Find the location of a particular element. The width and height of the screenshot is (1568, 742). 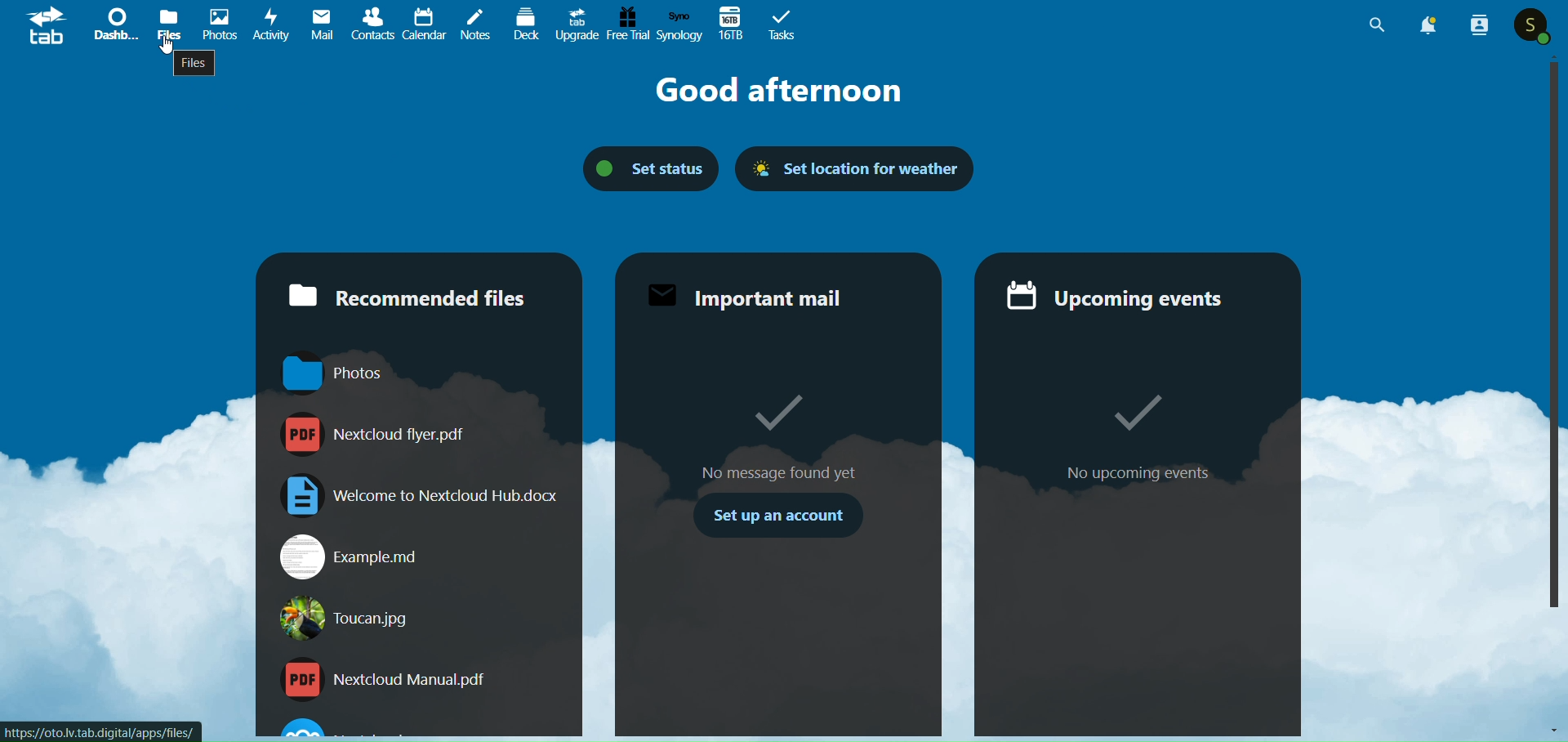

notification is located at coordinates (1430, 25).